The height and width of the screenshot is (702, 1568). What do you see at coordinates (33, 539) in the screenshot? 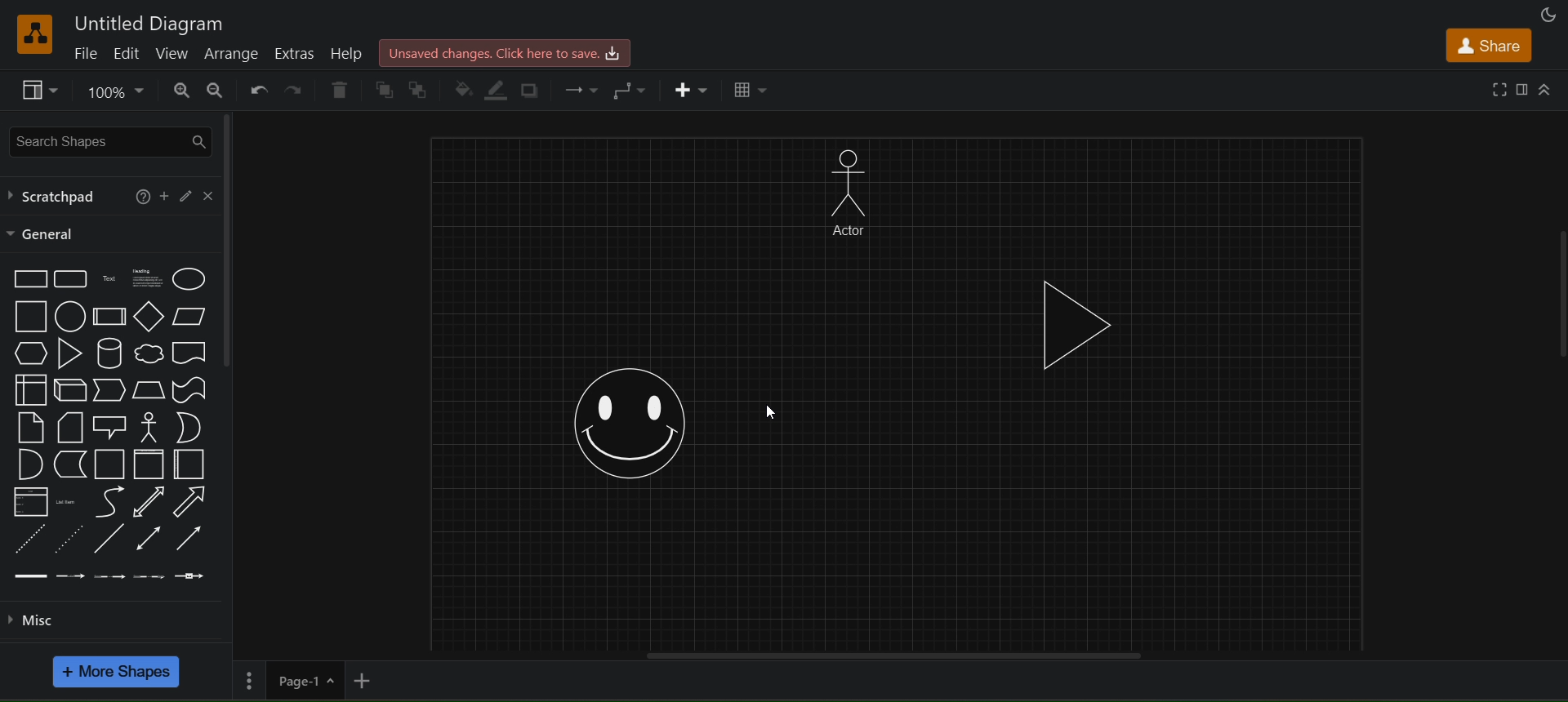
I see `dashed line` at bounding box center [33, 539].